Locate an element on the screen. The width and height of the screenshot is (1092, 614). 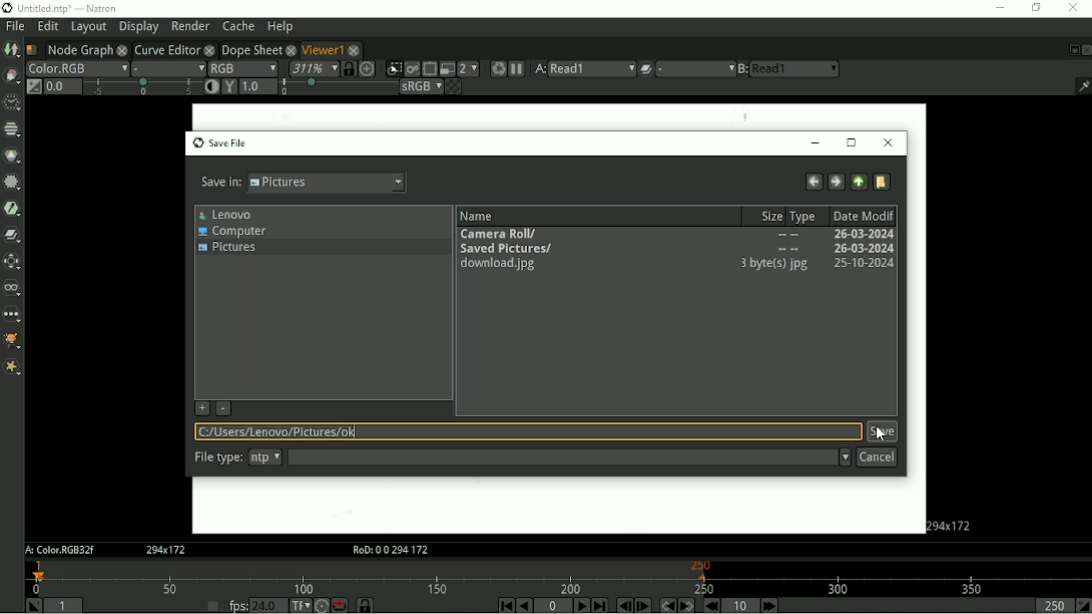
Last frame is located at coordinates (599, 605).